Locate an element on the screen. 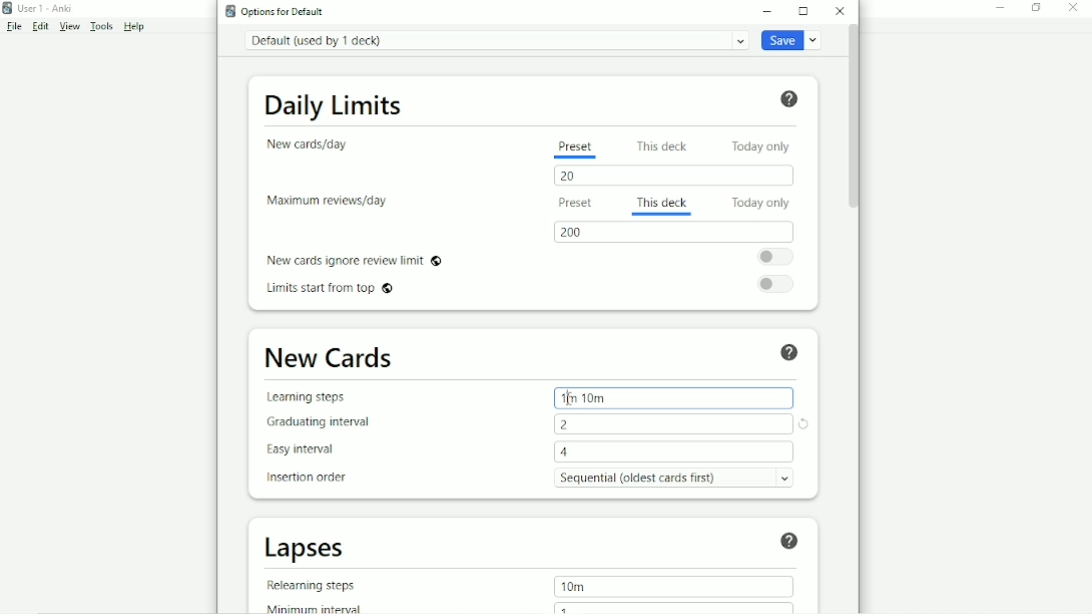  Save is located at coordinates (790, 40).